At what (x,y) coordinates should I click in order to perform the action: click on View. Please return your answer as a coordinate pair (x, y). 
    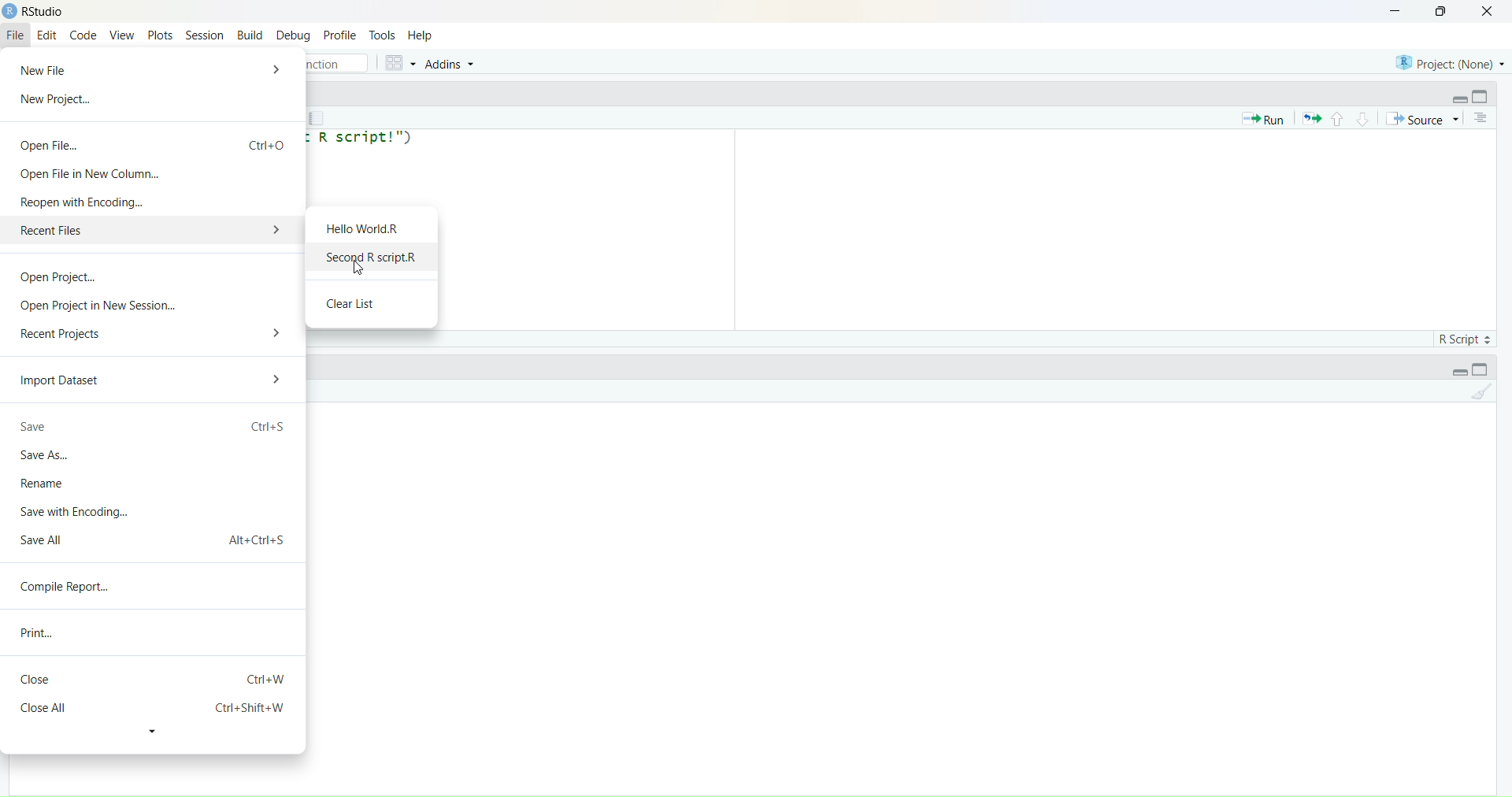
    Looking at the image, I should click on (122, 36).